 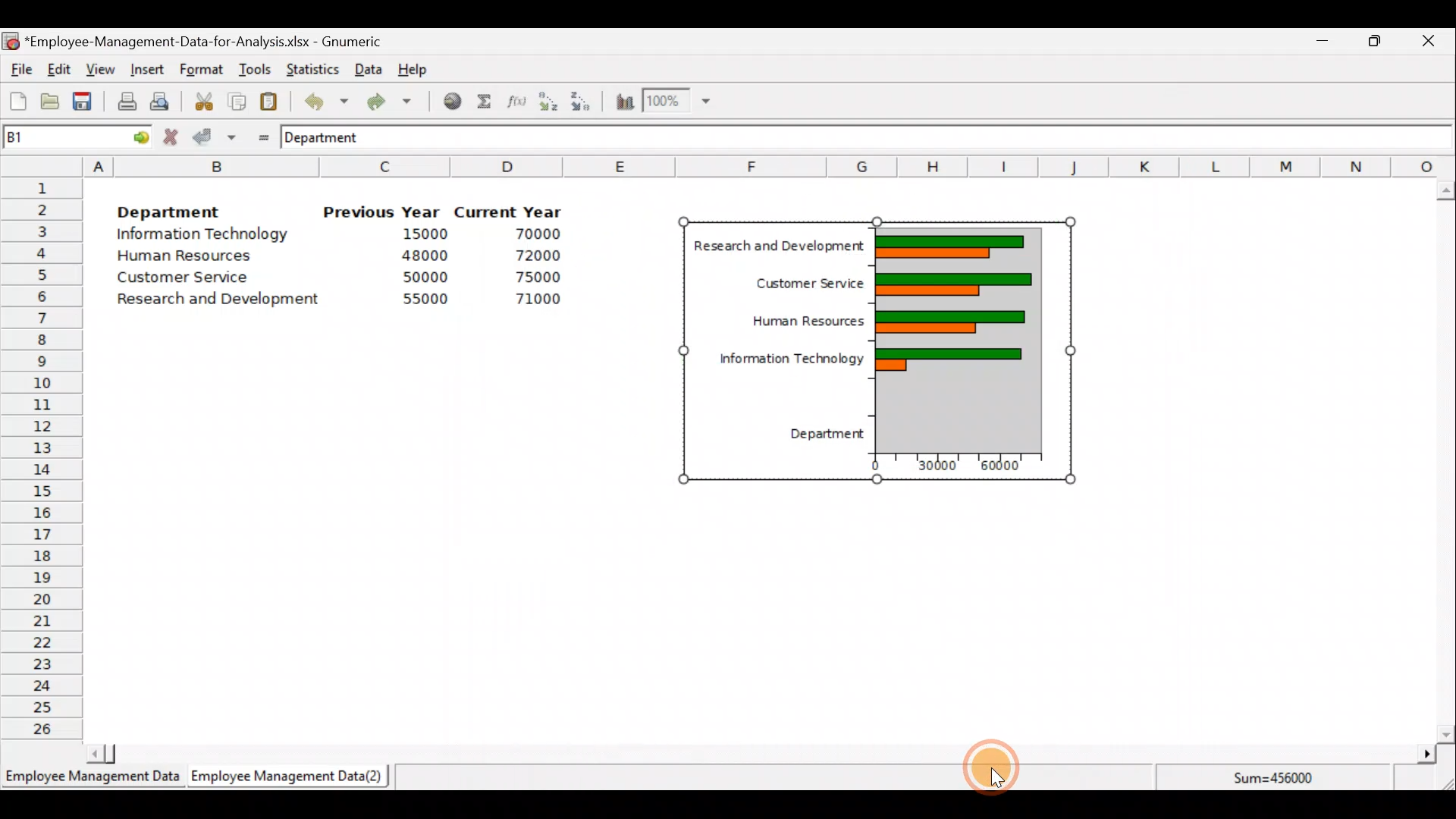 I want to click on Sort in descending order, so click(x=582, y=100).